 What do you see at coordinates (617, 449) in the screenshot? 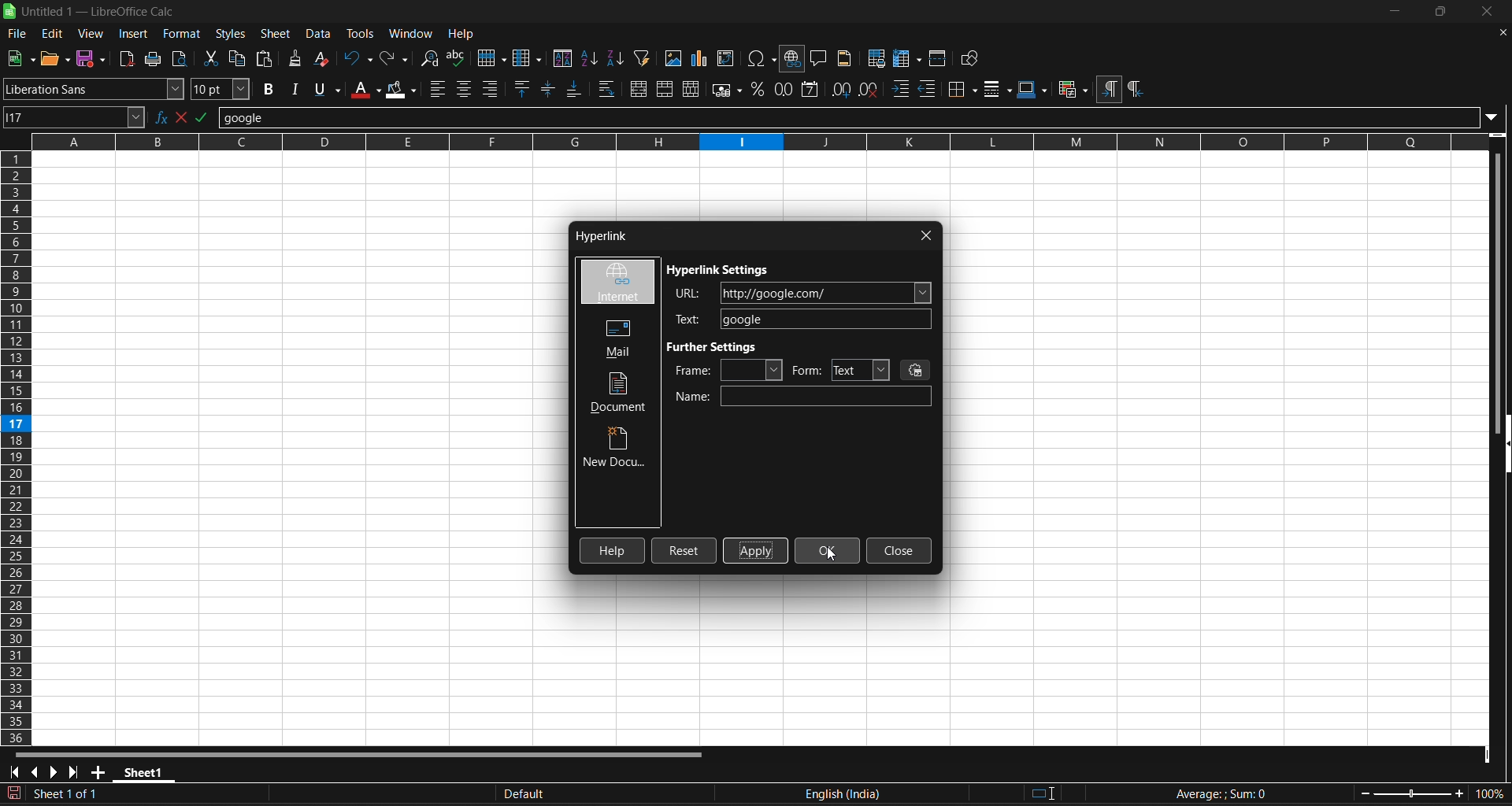
I see `new document` at bounding box center [617, 449].